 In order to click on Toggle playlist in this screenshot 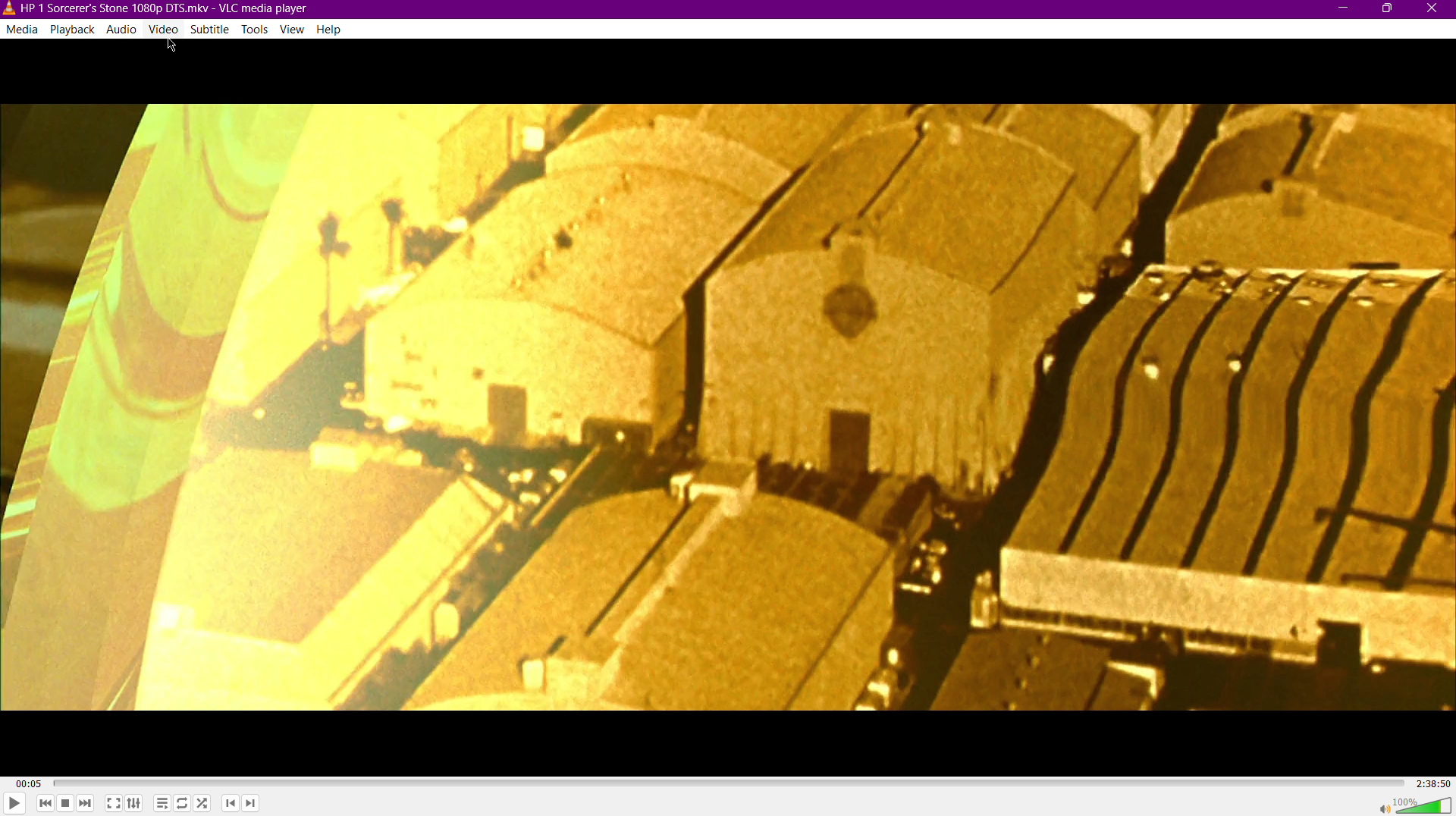, I will do `click(162, 804)`.